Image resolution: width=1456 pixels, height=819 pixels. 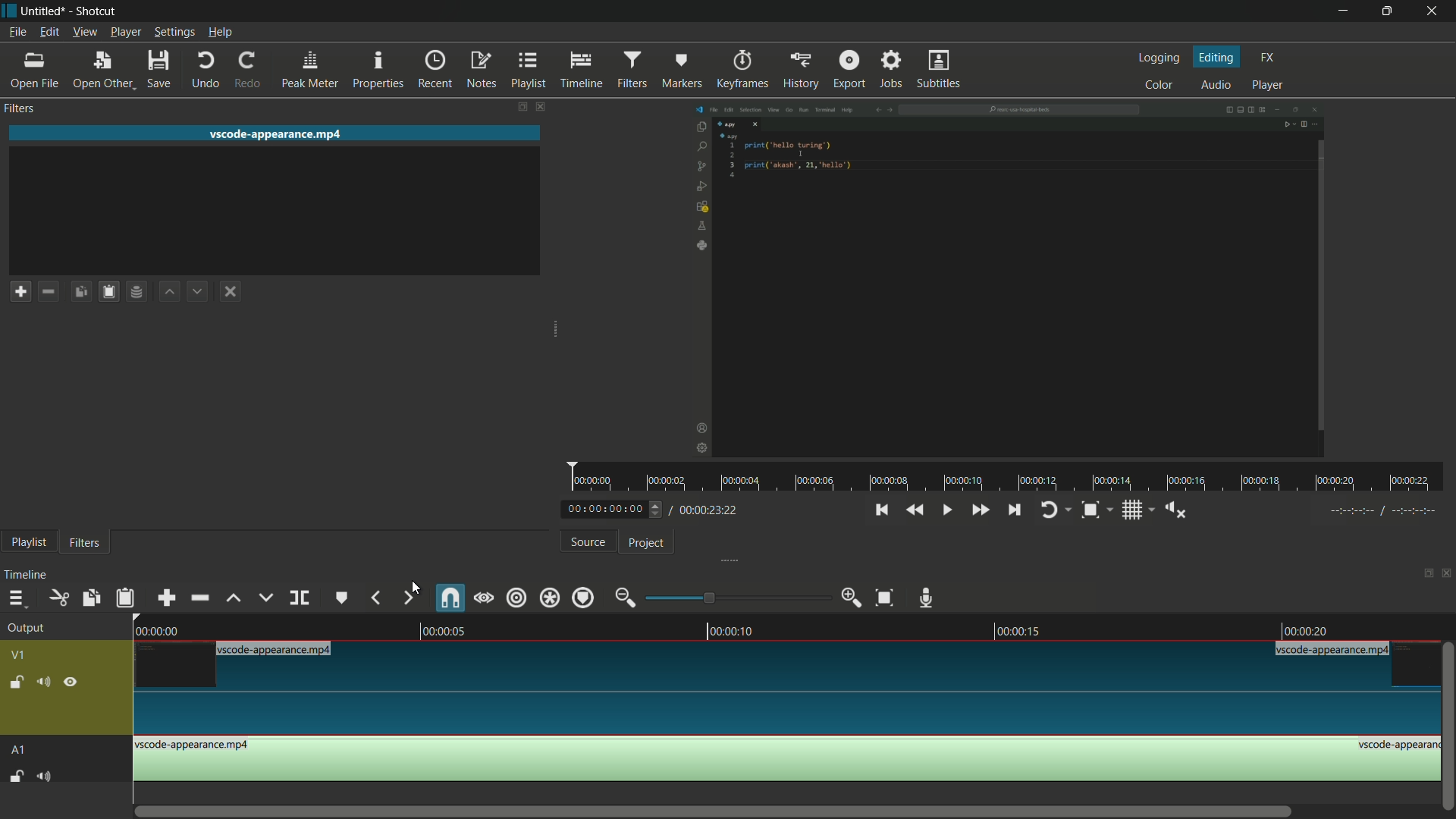 I want to click on open file, so click(x=35, y=71).